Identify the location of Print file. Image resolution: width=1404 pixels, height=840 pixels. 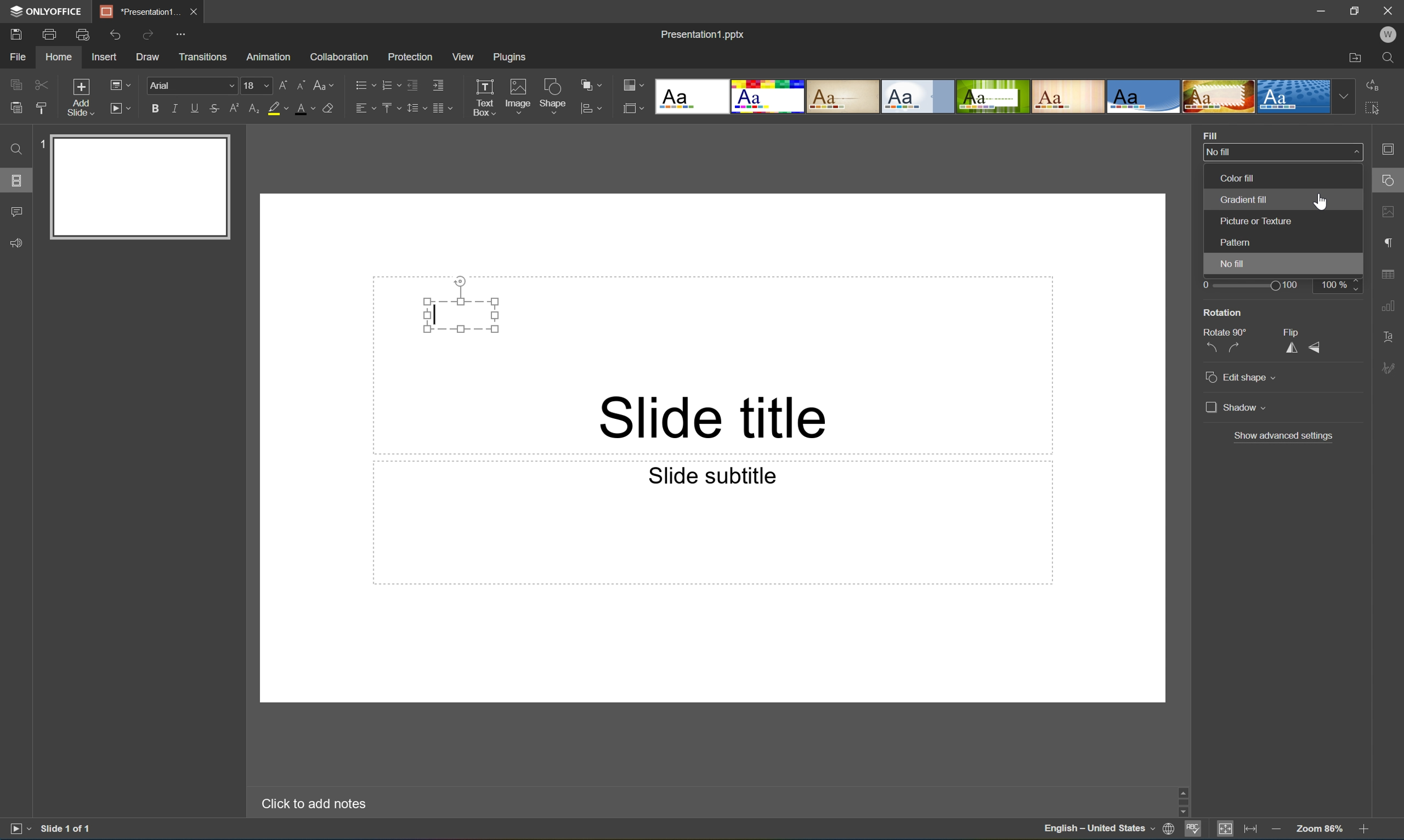
(50, 35).